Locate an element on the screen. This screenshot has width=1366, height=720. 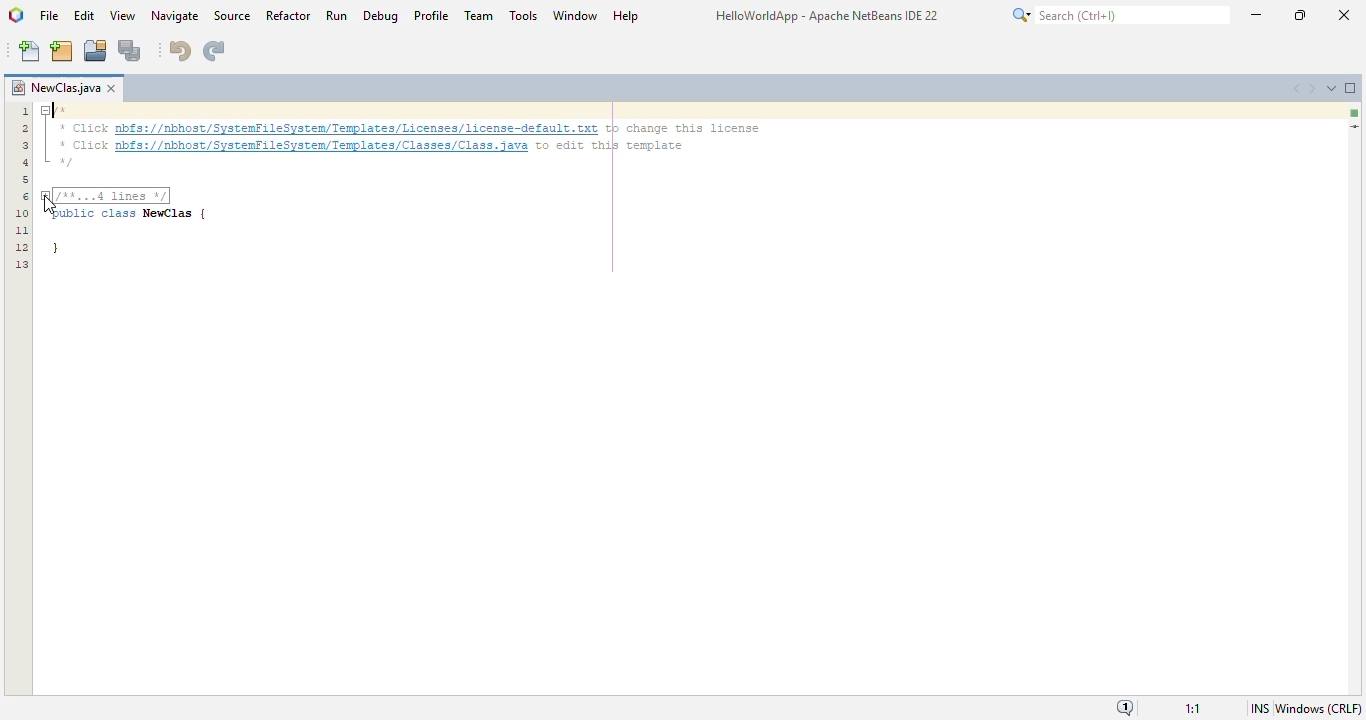
redo is located at coordinates (215, 51).